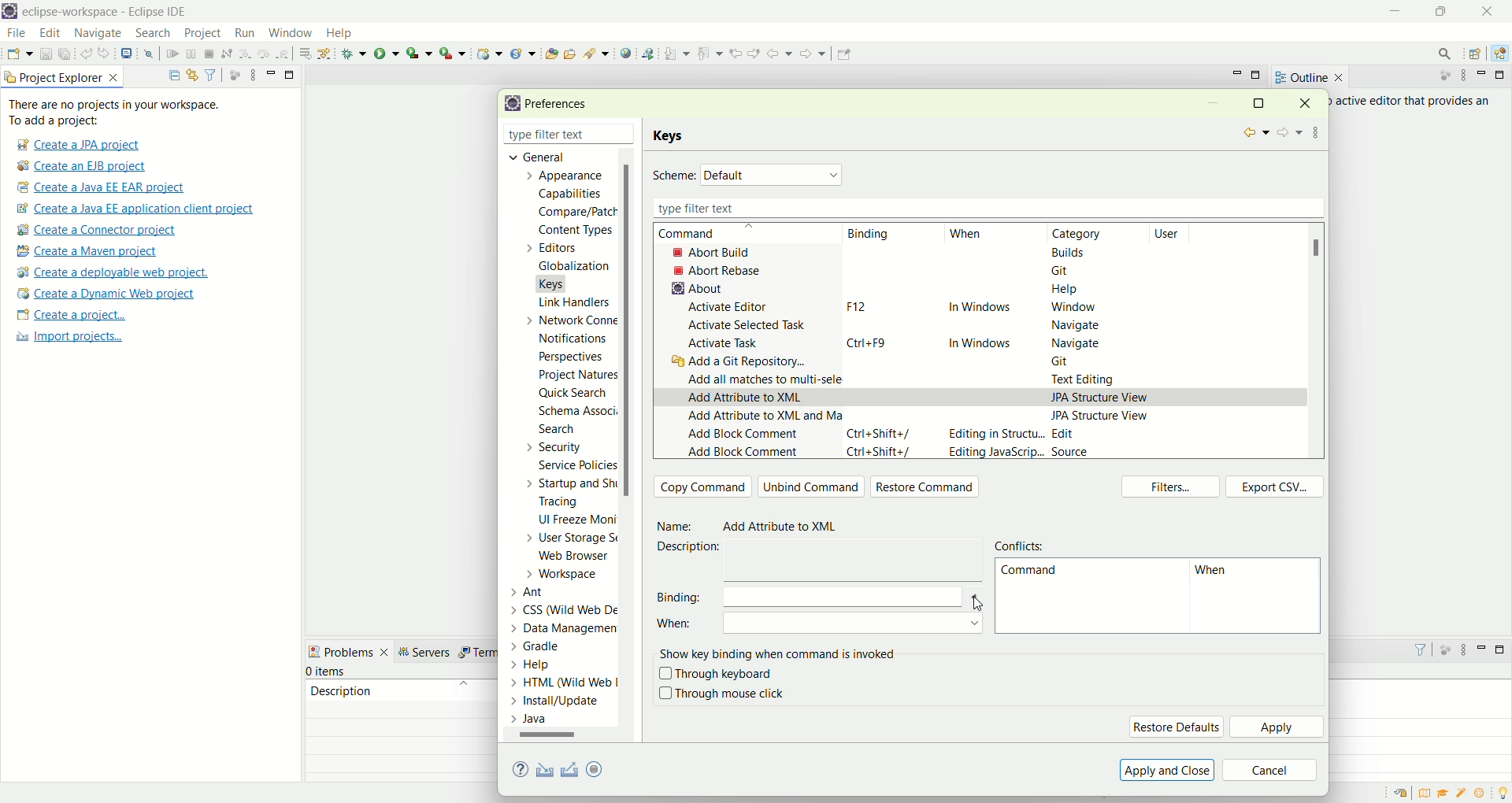 The width and height of the screenshot is (1512, 803). Describe the element at coordinates (48, 34) in the screenshot. I see `edit` at that location.